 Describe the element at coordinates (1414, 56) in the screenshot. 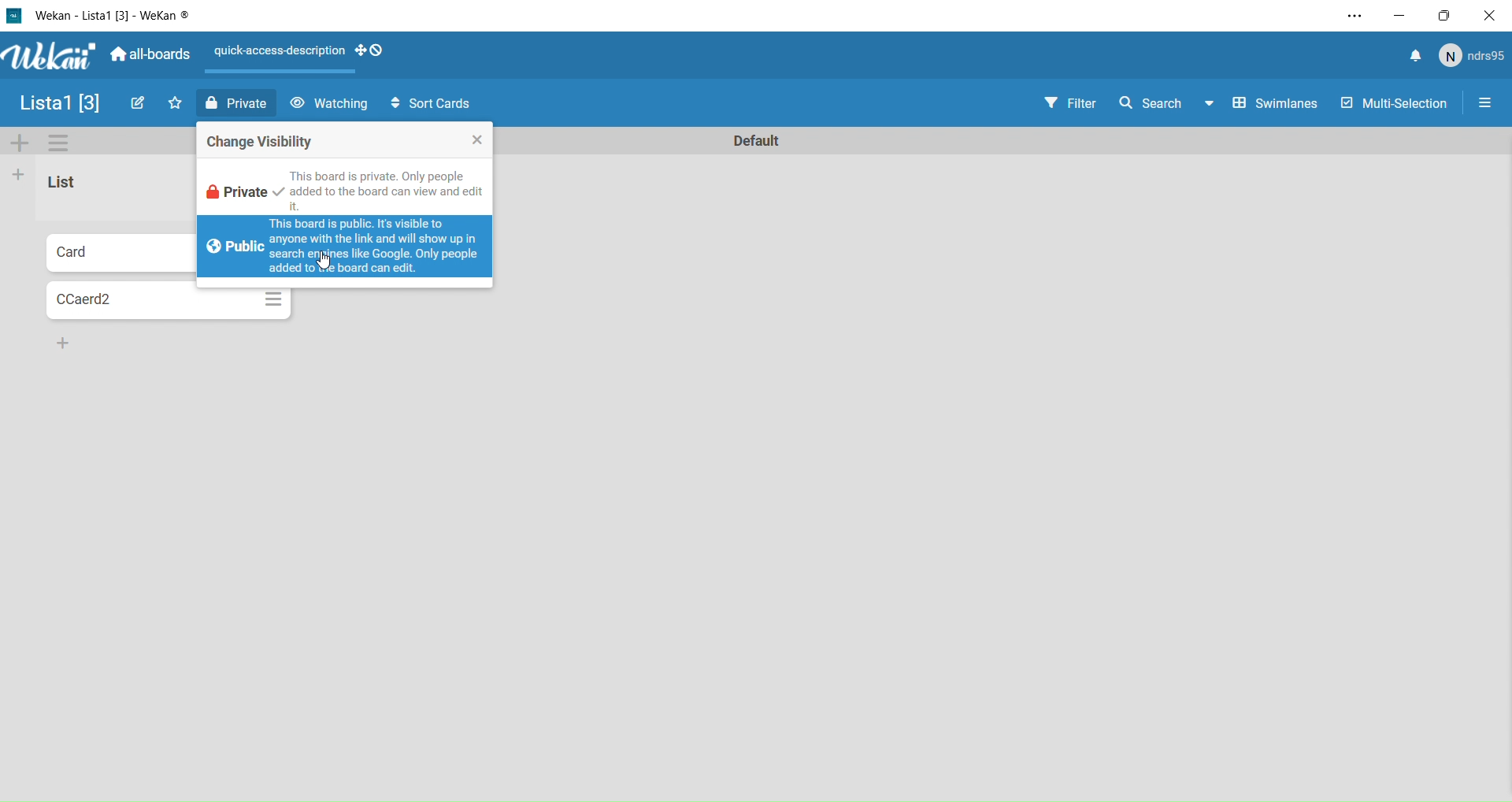

I see `Notifications` at that location.